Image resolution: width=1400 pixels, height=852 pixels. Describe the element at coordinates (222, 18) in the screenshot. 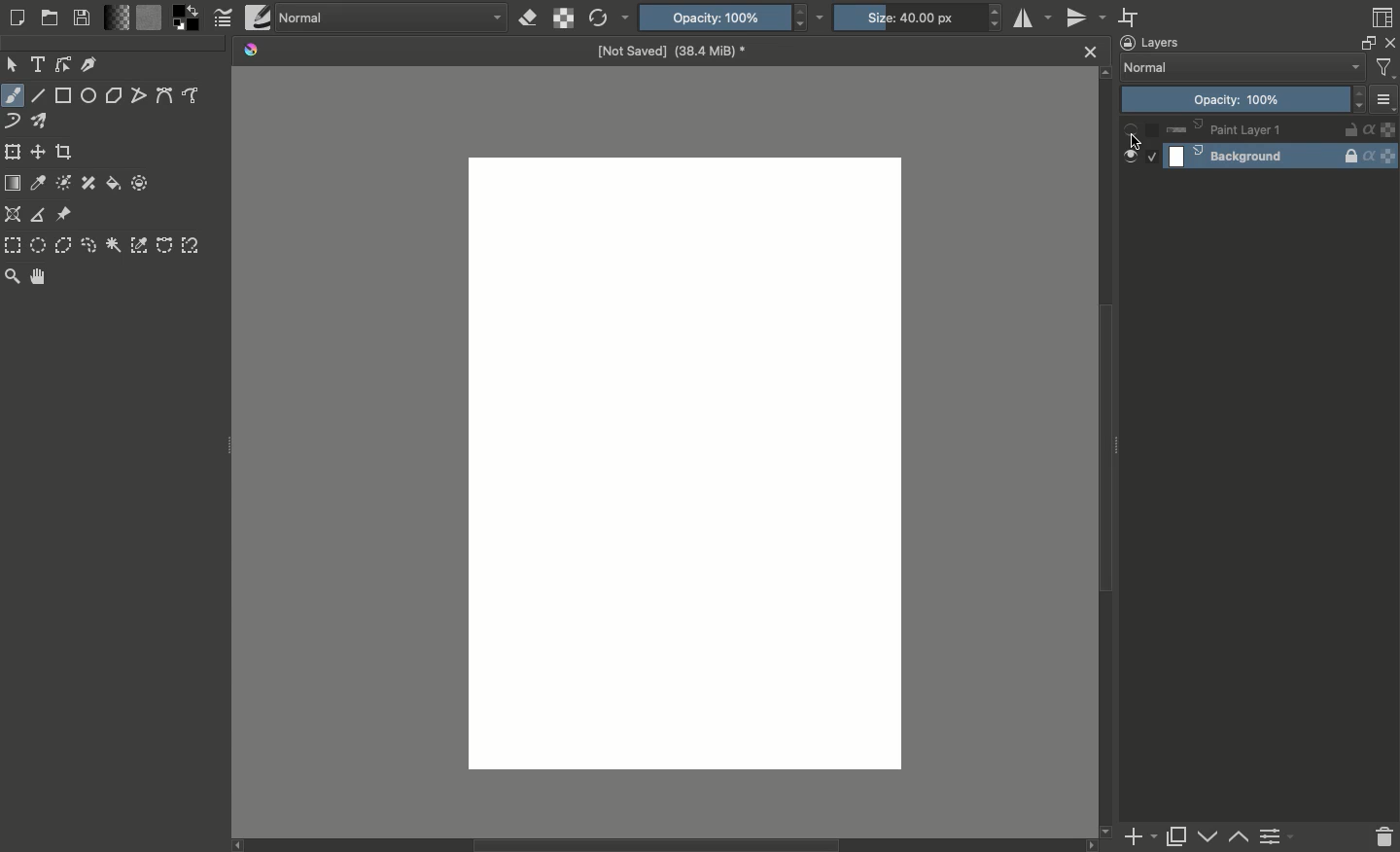

I see `Edit brush settings` at that location.